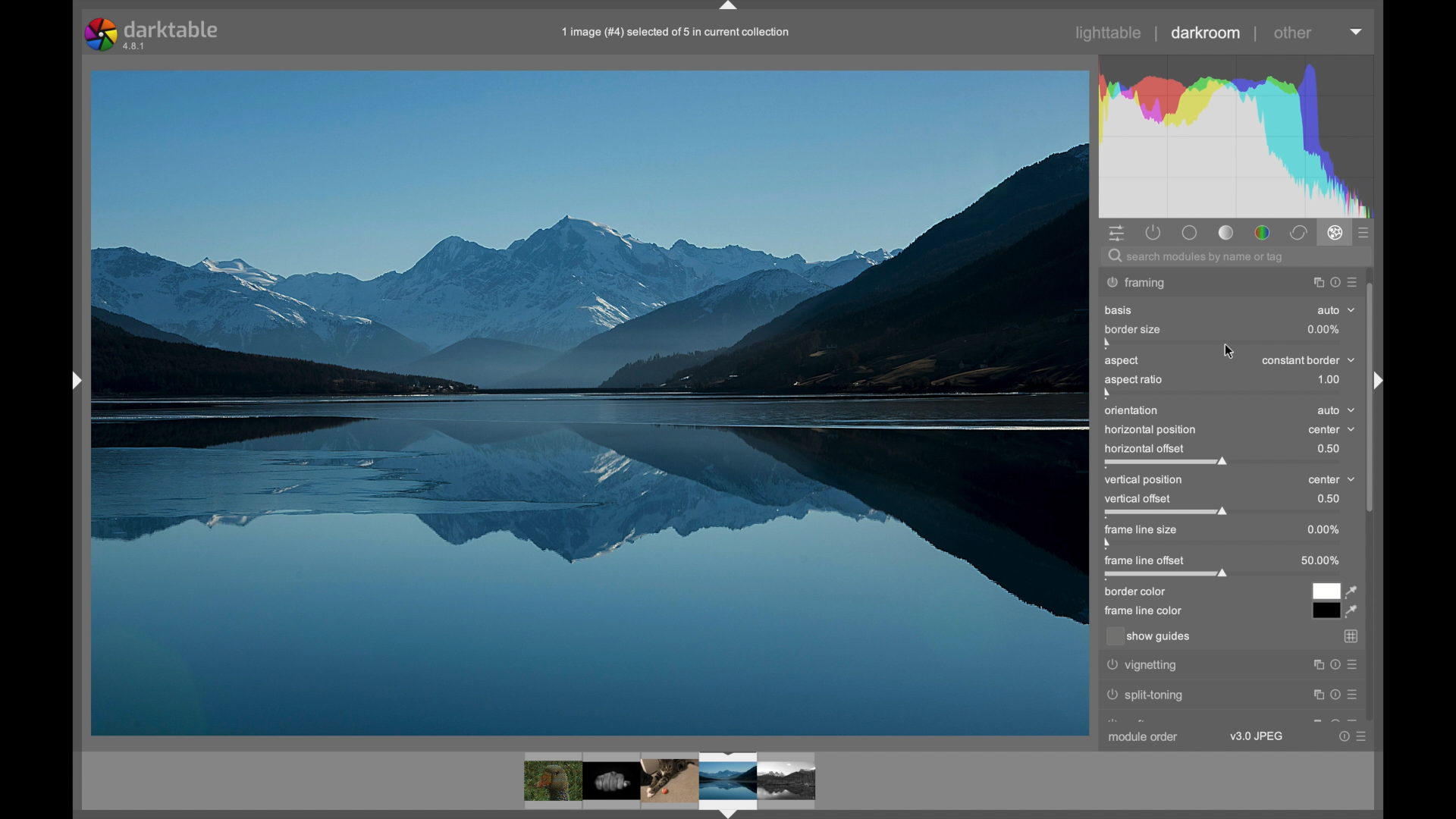 This screenshot has width=1456, height=819. I want to click on orientation, so click(1133, 411).